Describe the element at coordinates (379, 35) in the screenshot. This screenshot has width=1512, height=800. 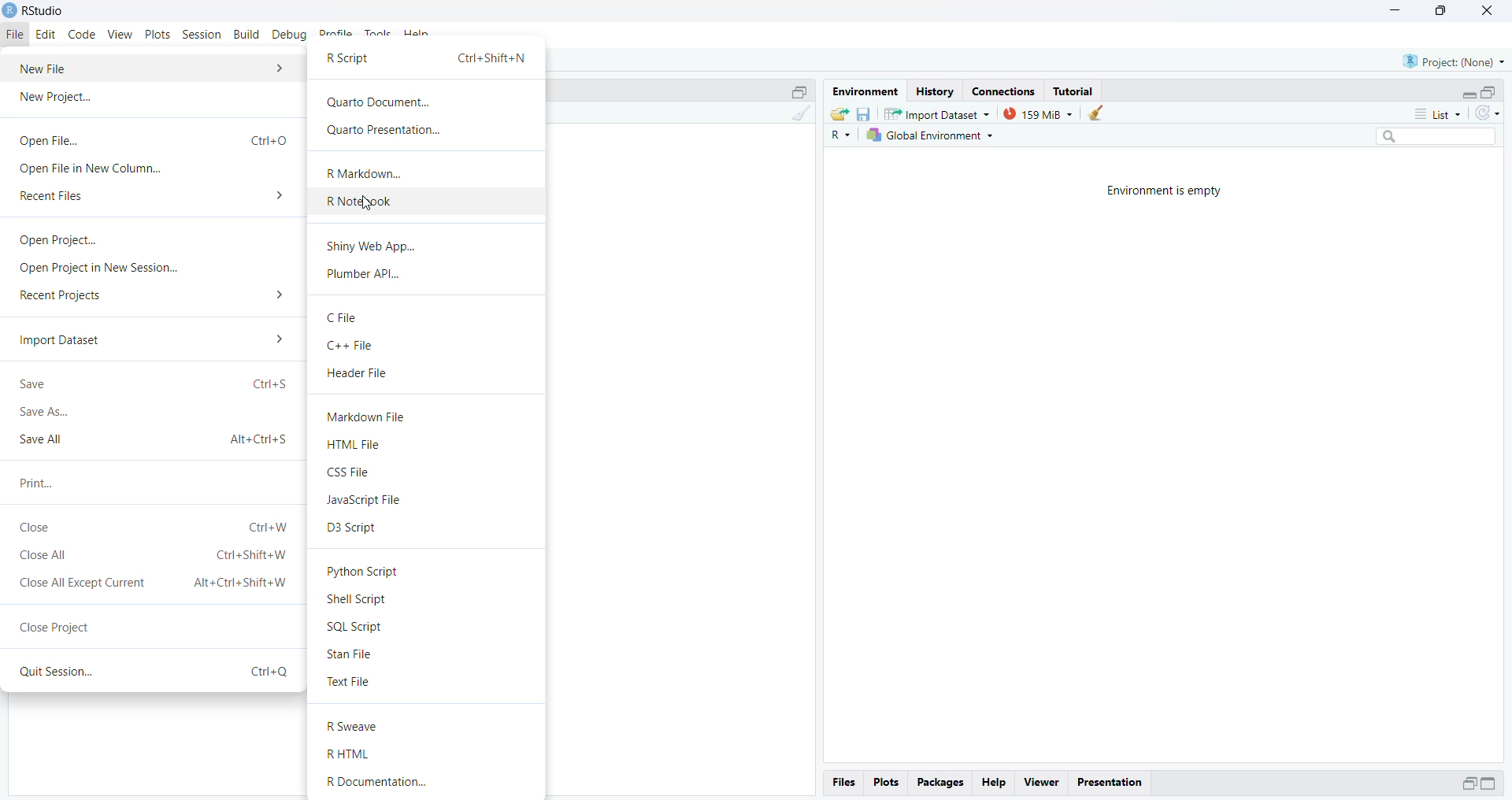
I see `tools` at that location.